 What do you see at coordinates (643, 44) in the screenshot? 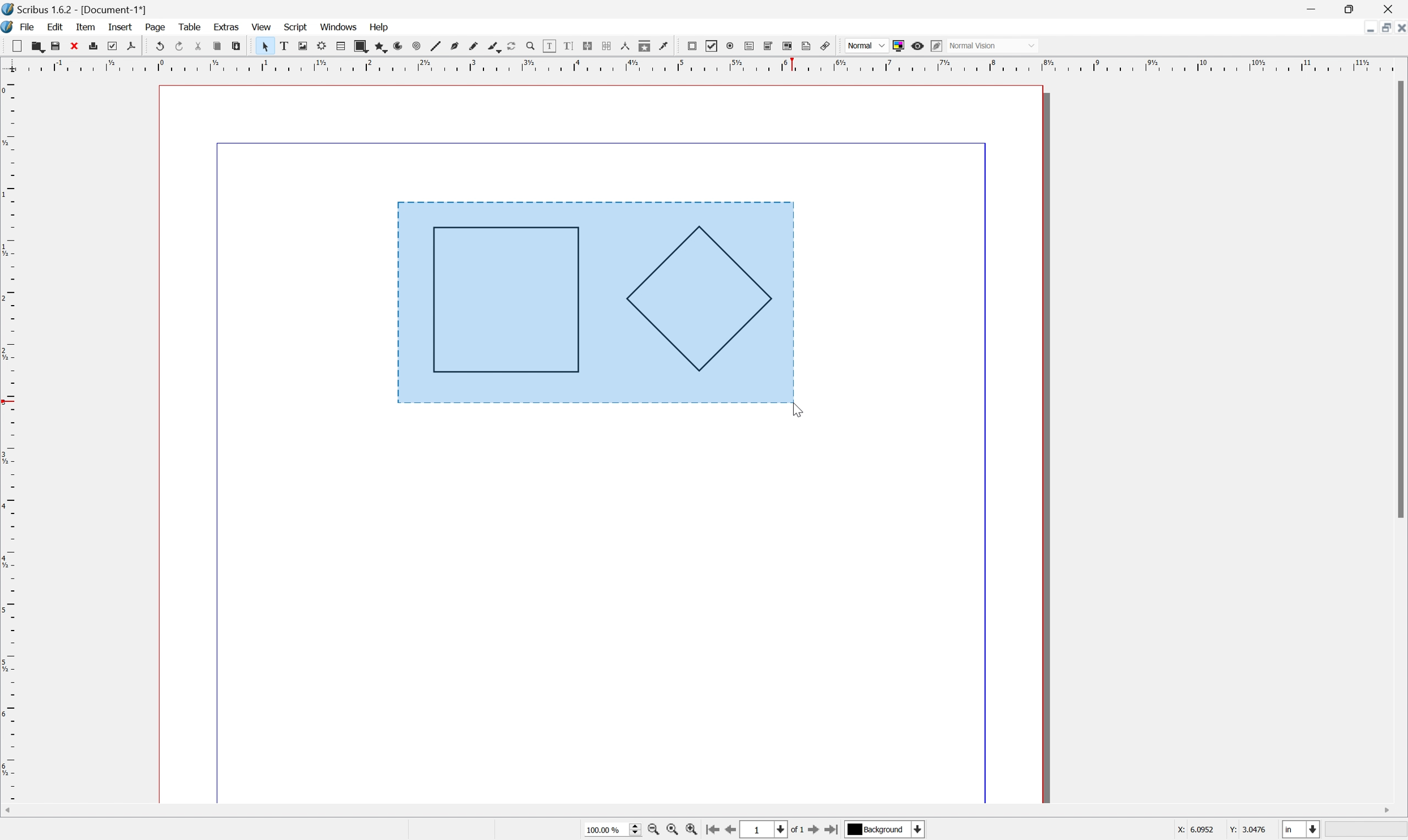
I see `copy item properties` at bounding box center [643, 44].